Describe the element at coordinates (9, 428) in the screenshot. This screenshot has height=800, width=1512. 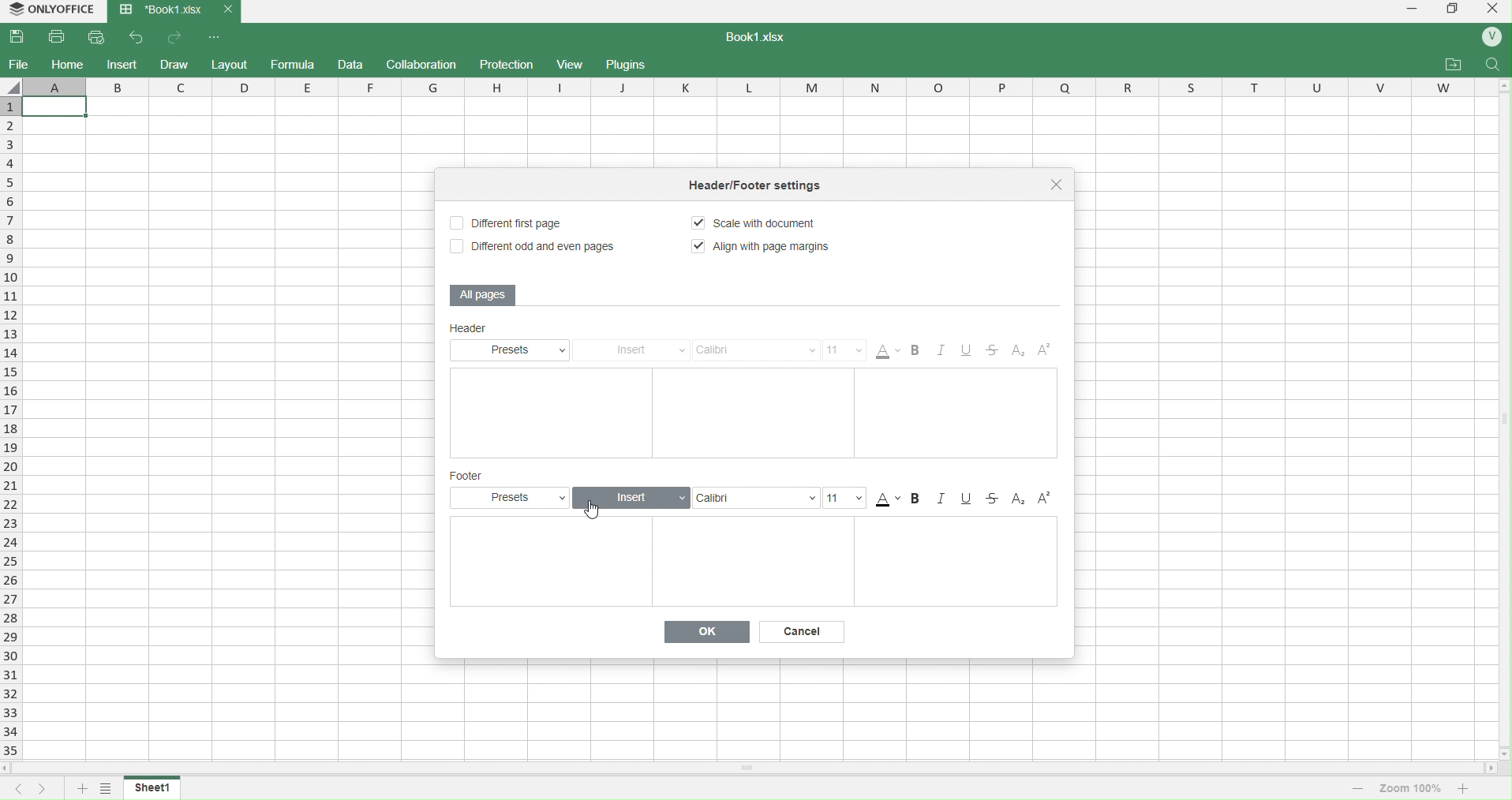
I see `rows` at that location.